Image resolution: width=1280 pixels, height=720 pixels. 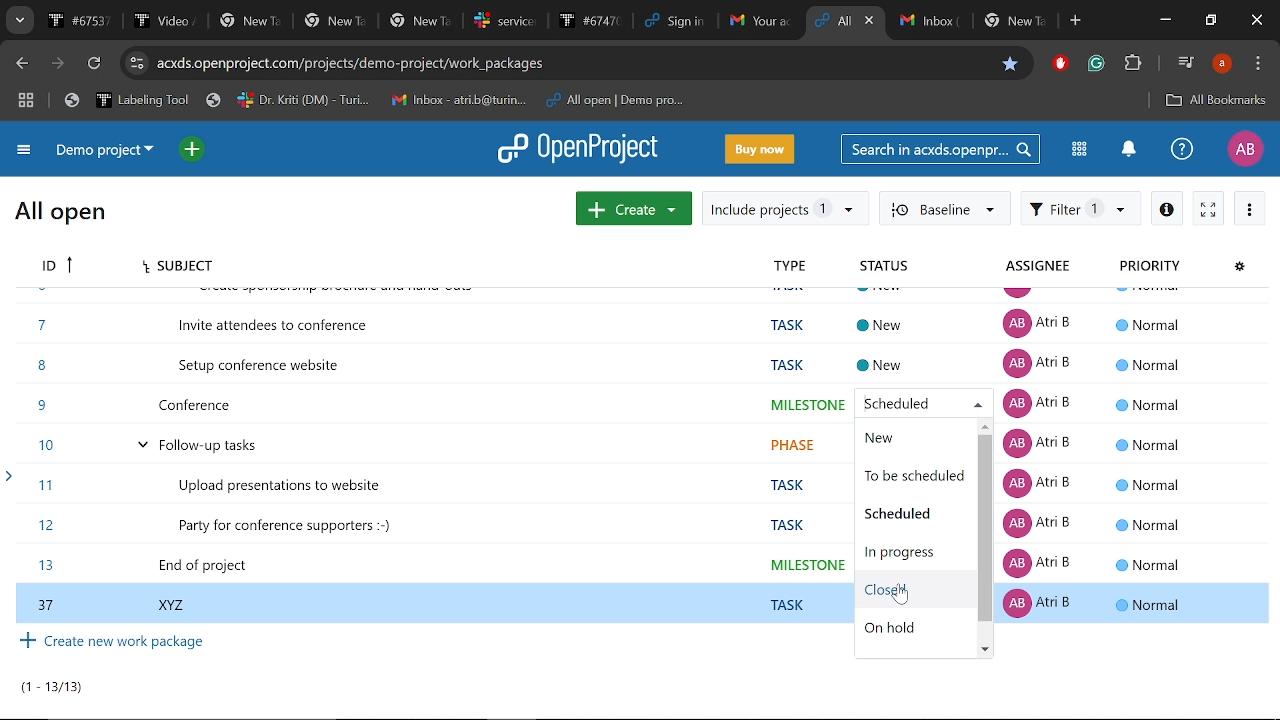 What do you see at coordinates (1154, 266) in the screenshot?
I see `Priority` at bounding box center [1154, 266].